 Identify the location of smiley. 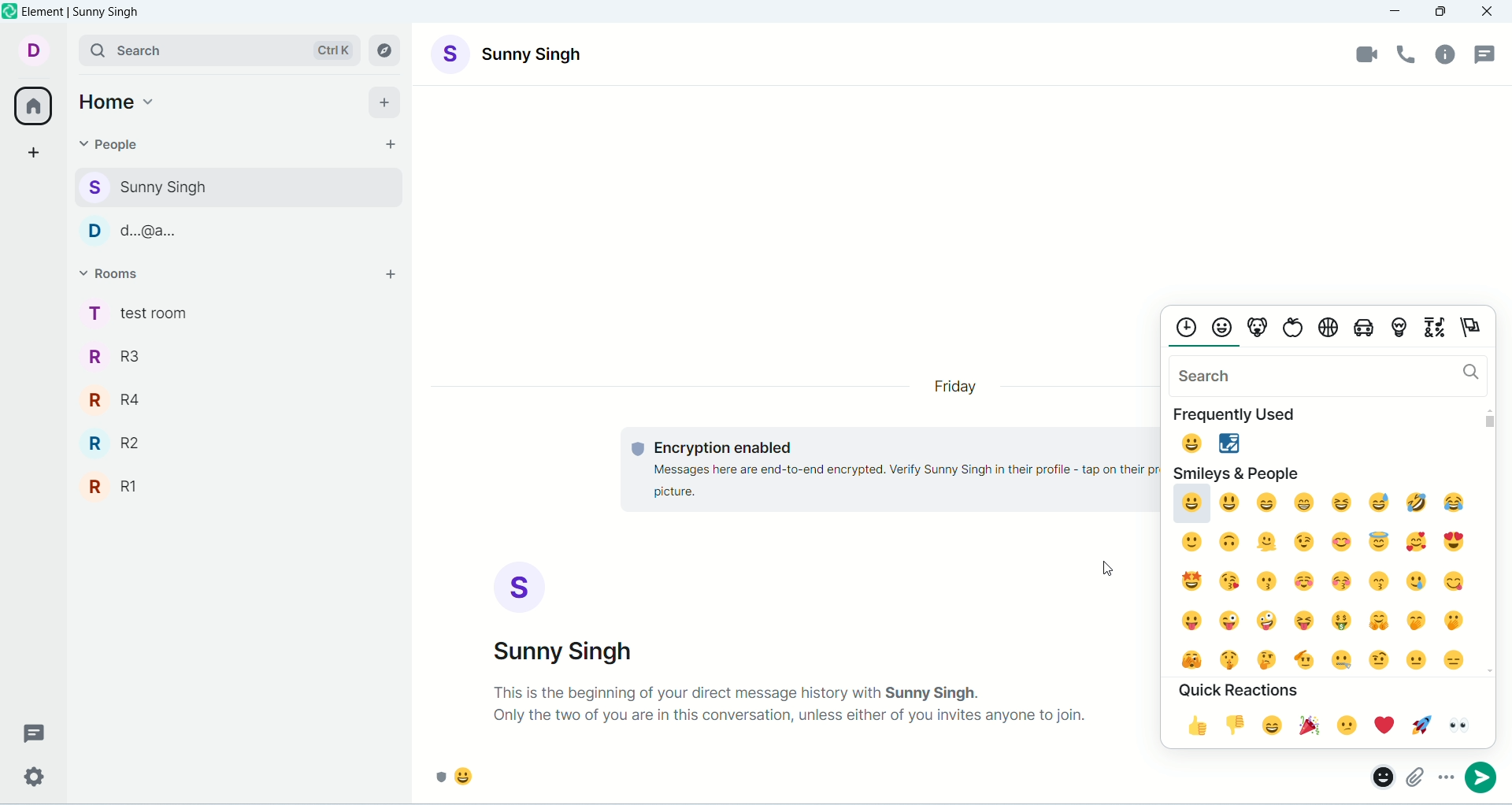
(1317, 578).